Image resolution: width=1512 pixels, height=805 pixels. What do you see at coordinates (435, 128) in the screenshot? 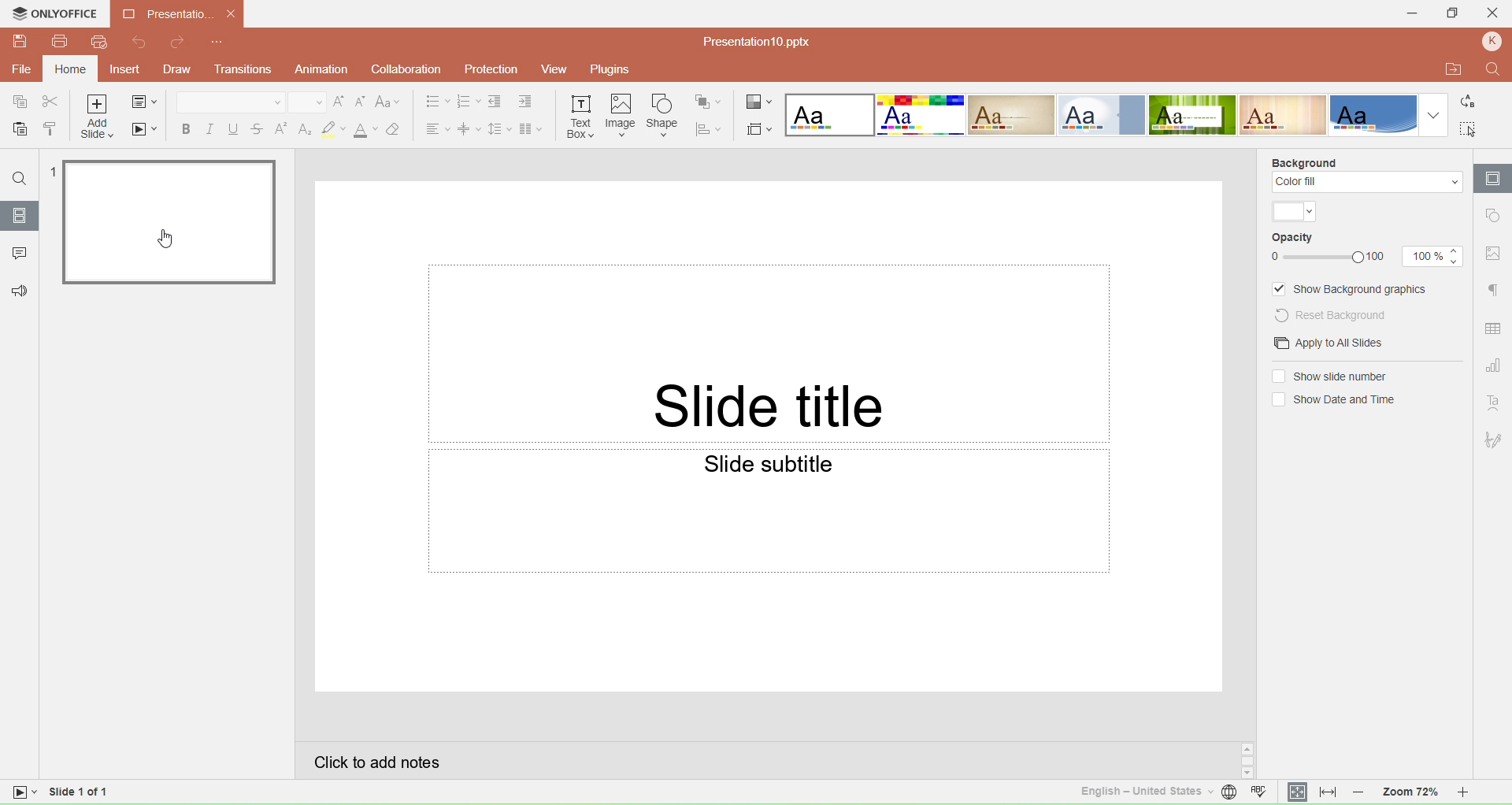
I see `Horizontal align` at bounding box center [435, 128].